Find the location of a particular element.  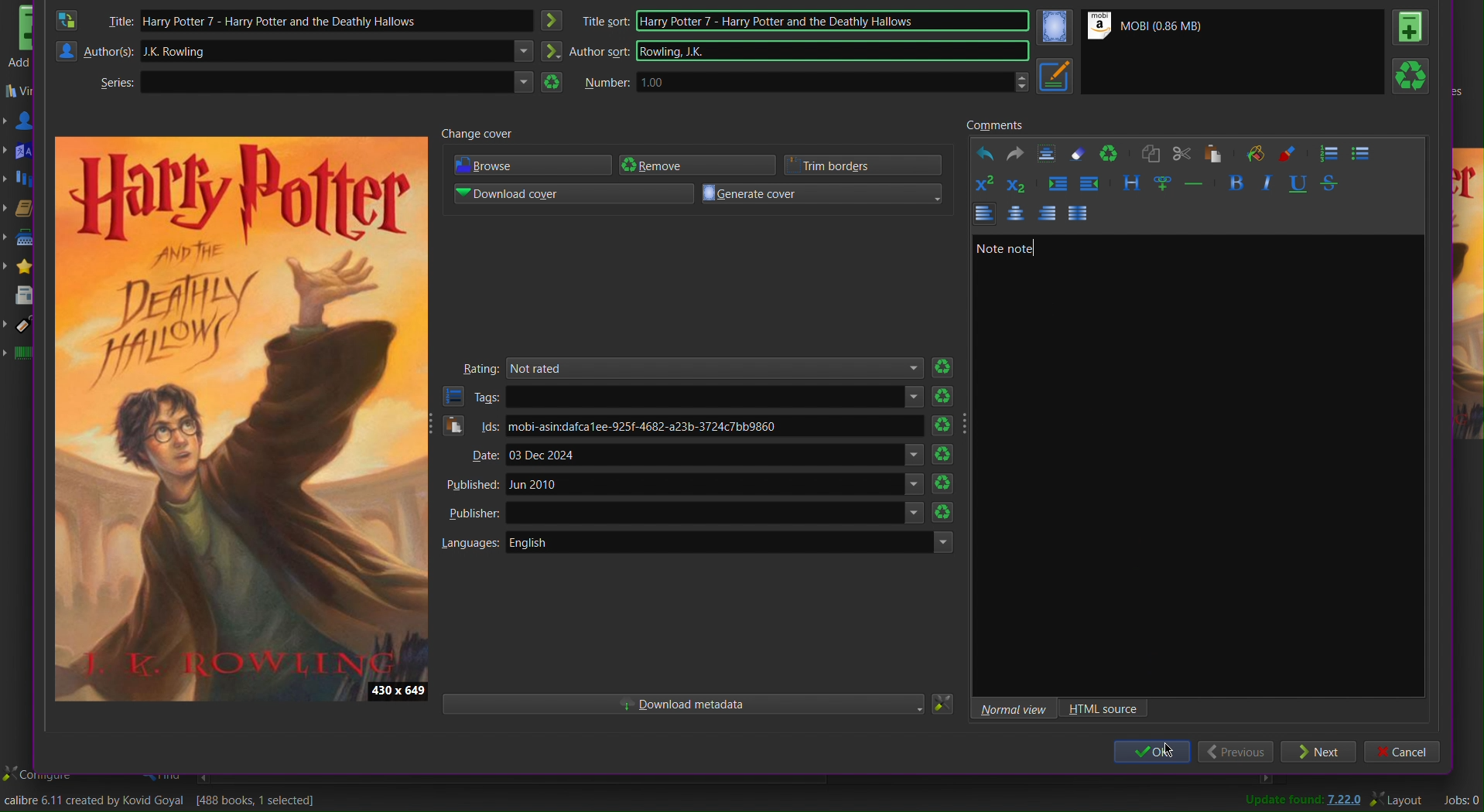

Identifiers is located at coordinates (26, 355).